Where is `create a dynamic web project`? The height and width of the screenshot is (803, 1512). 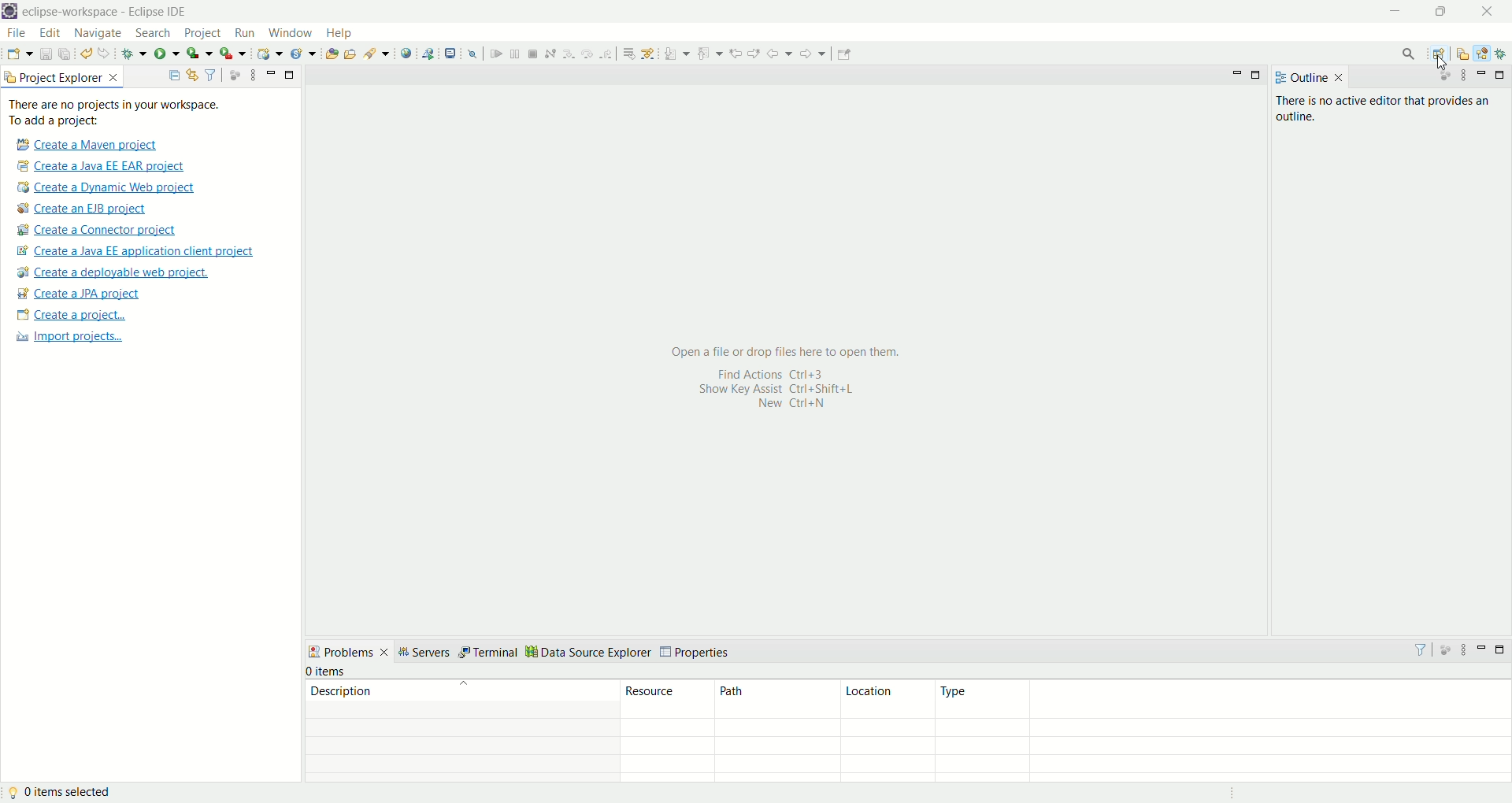
create a dynamic web project is located at coordinates (269, 55).